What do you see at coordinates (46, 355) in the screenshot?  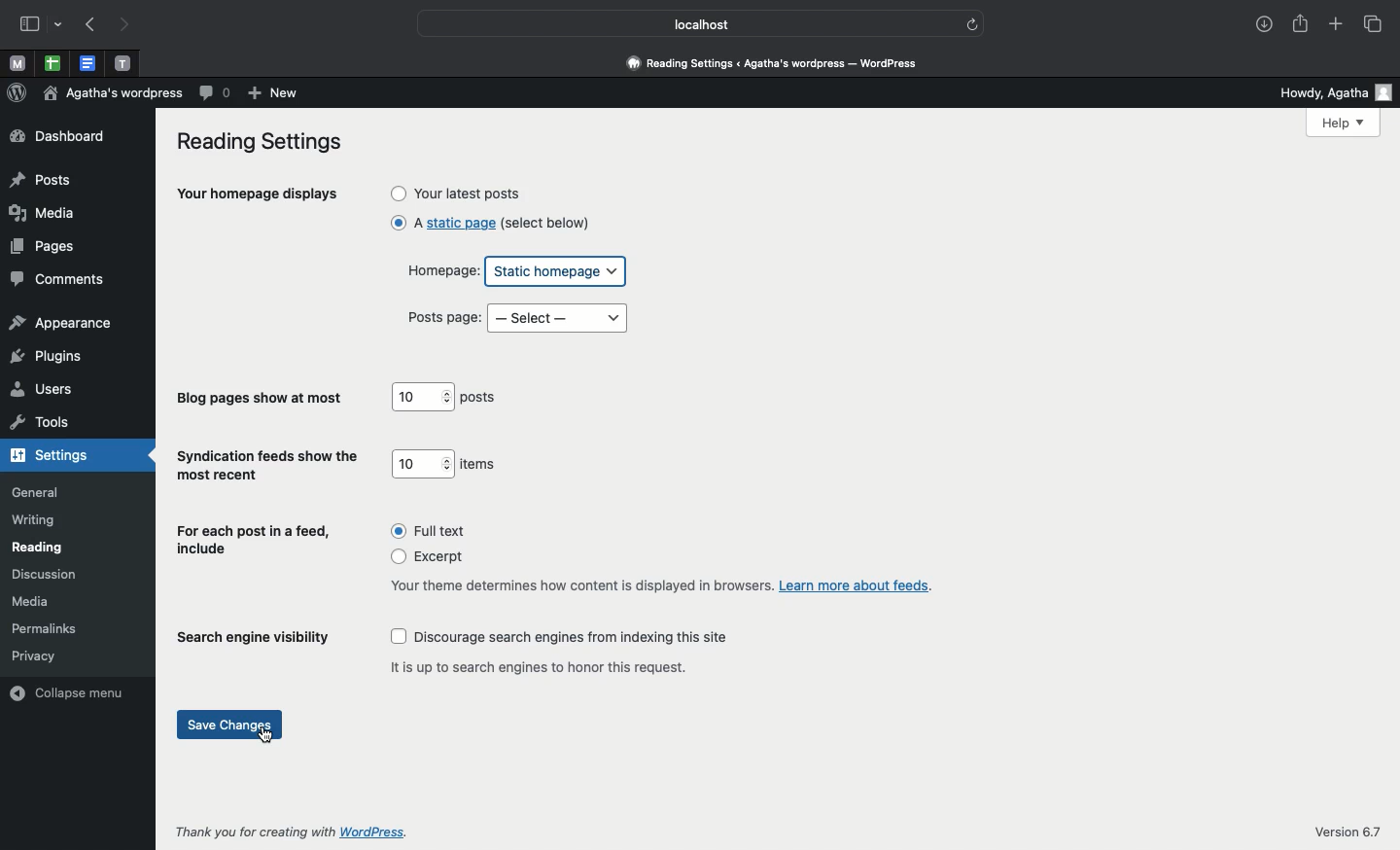 I see `plugins` at bounding box center [46, 355].